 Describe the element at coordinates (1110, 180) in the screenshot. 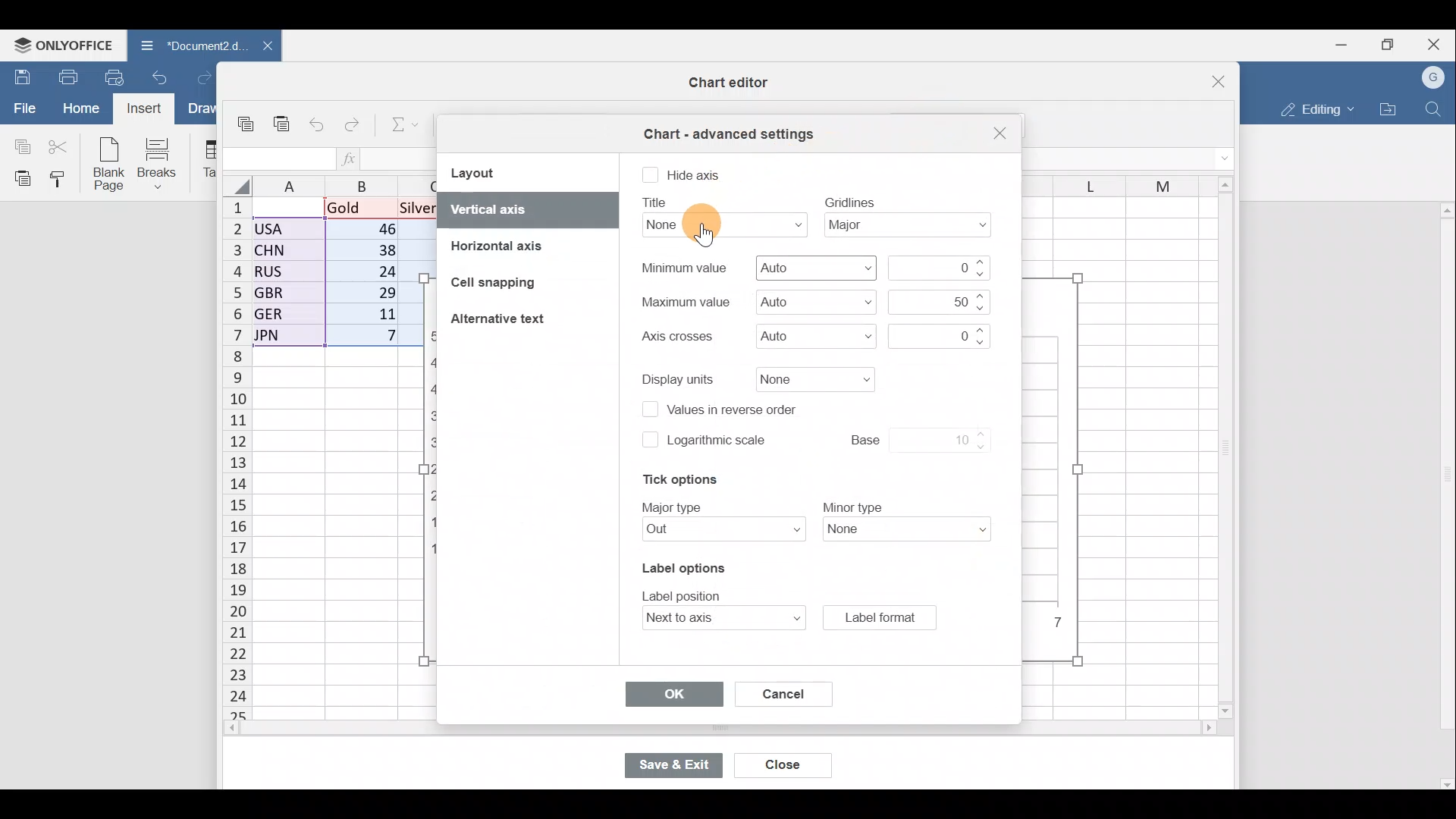

I see `Columns` at that location.